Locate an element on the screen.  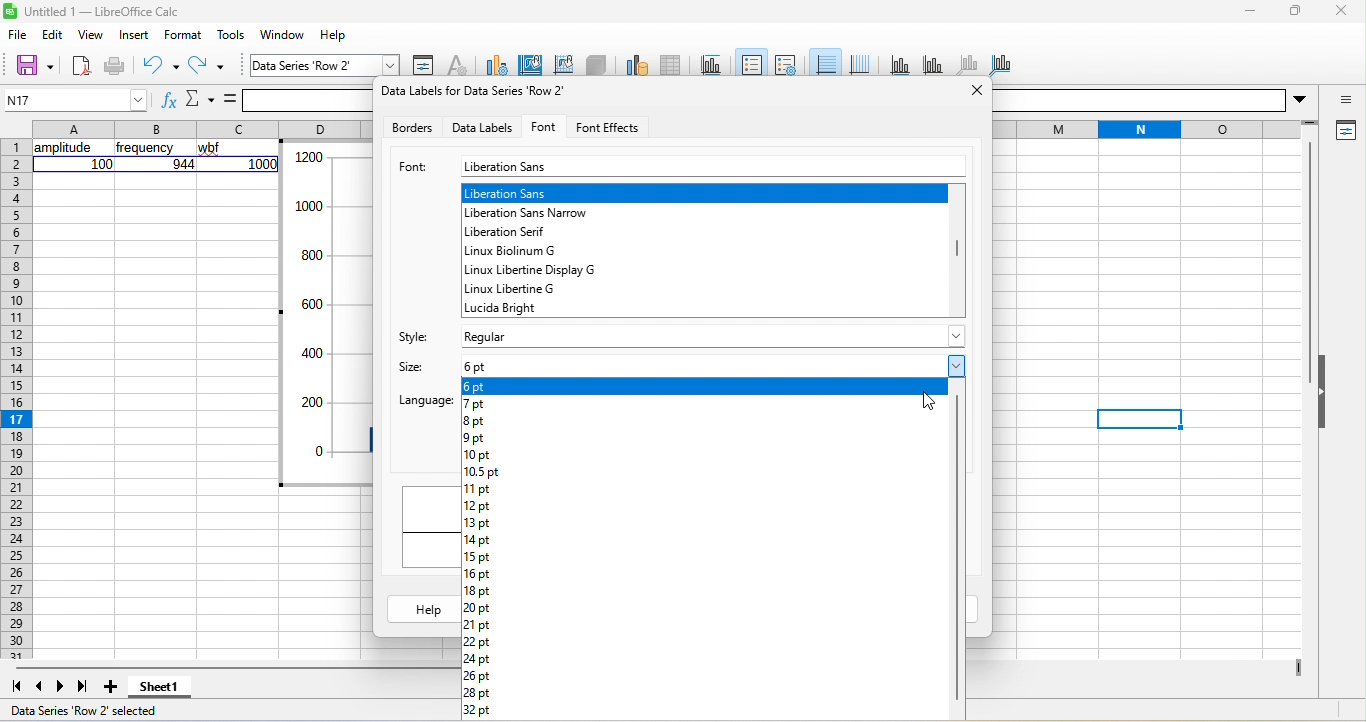
6pt is located at coordinates (488, 387).